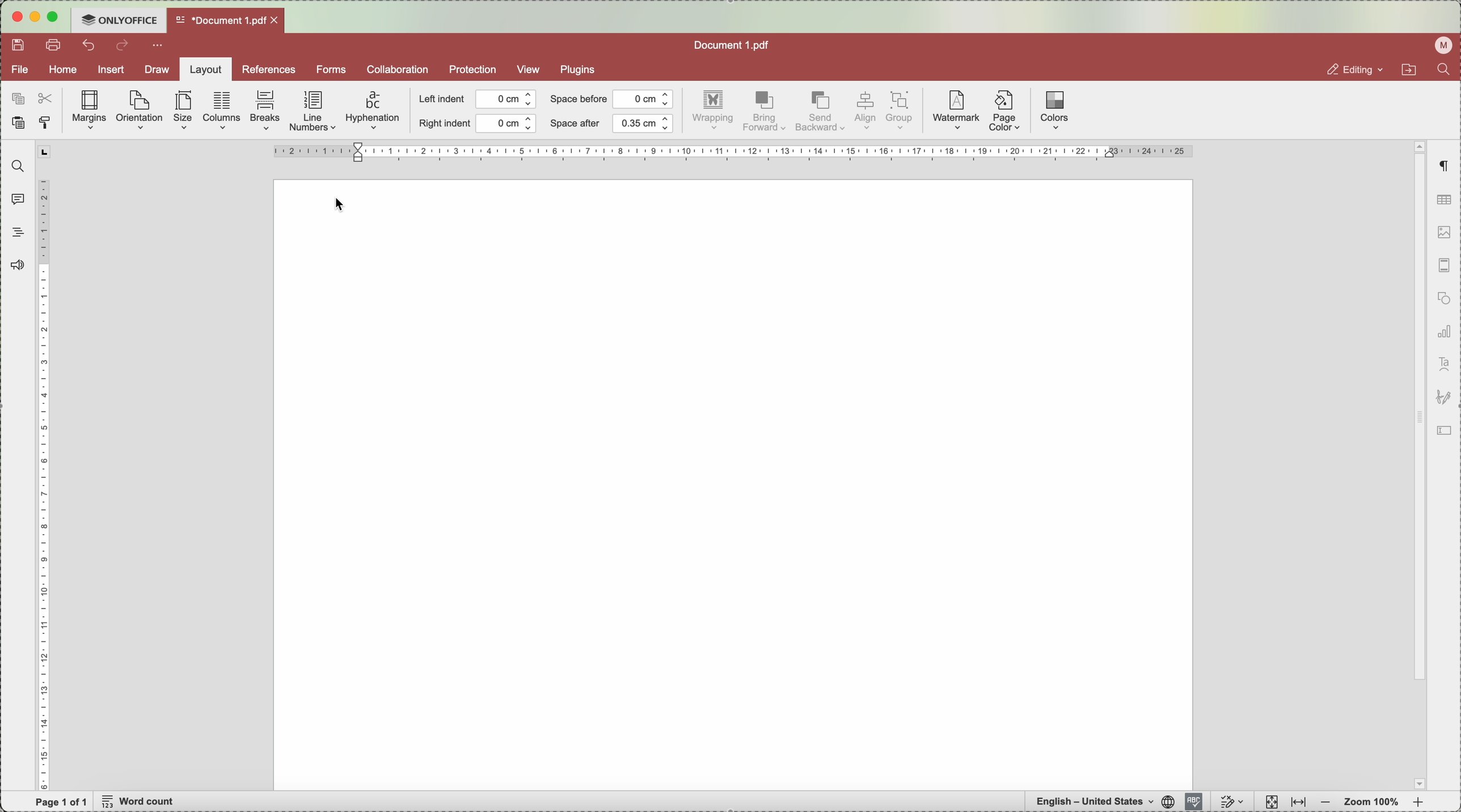  What do you see at coordinates (185, 111) in the screenshot?
I see `size` at bounding box center [185, 111].